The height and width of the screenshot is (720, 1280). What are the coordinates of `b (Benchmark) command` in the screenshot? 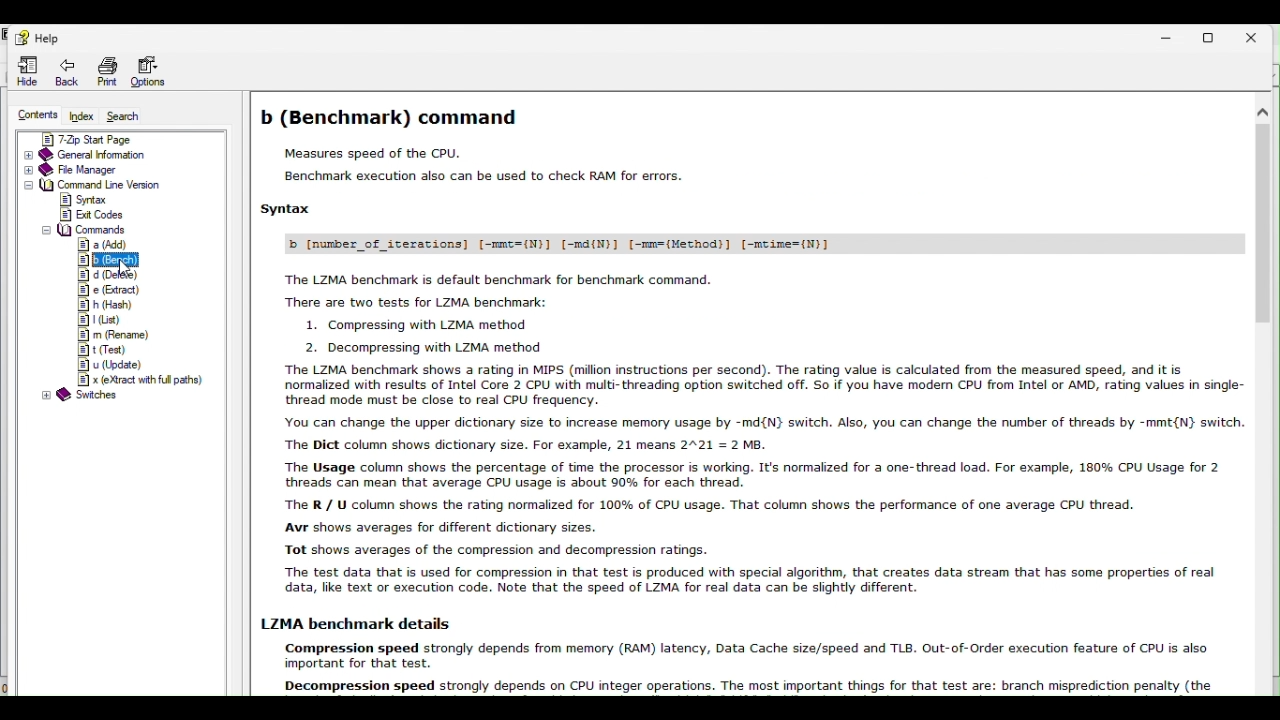 It's located at (402, 119).